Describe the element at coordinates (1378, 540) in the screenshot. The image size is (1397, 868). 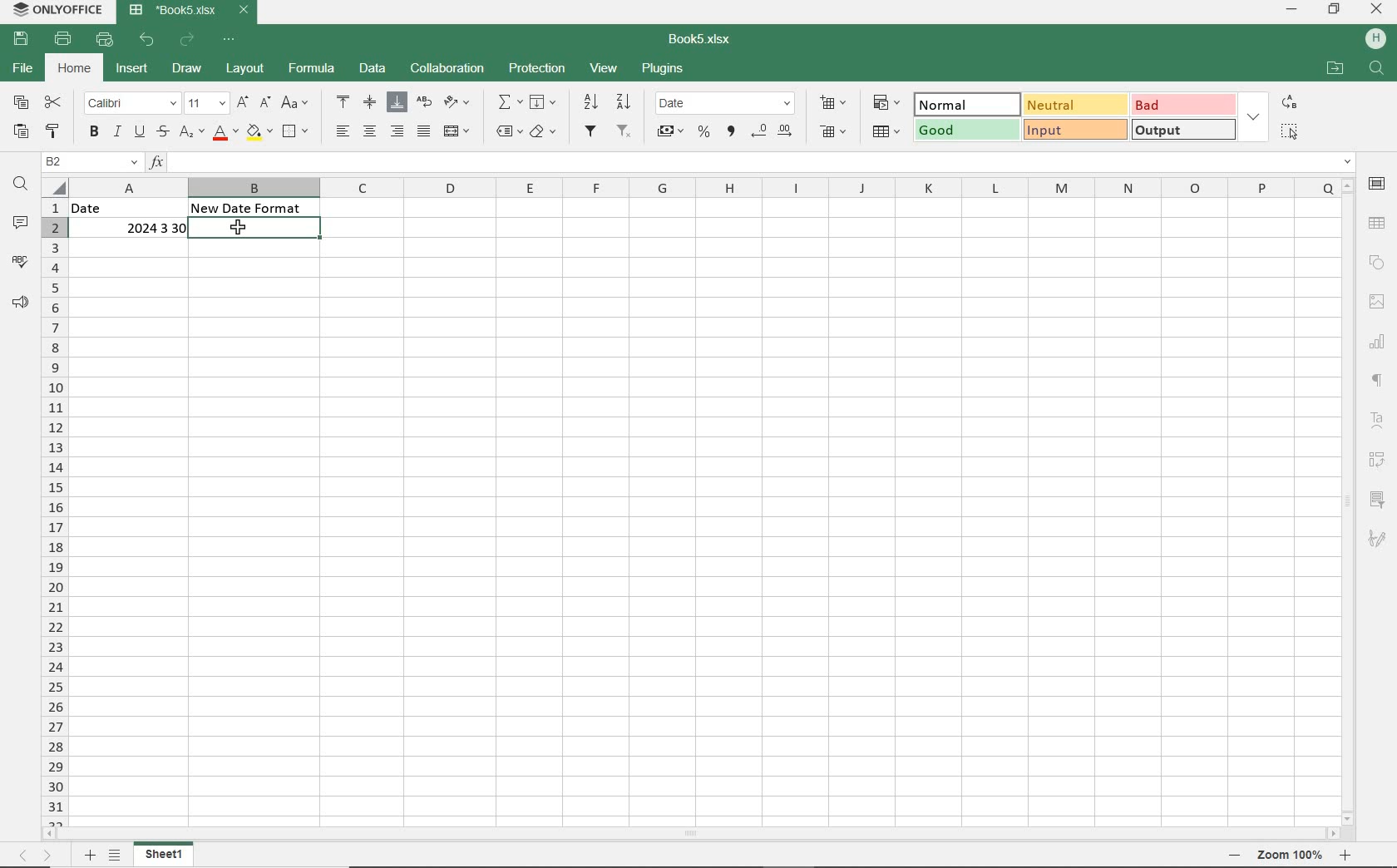
I see `SIGNATURE` at that location.